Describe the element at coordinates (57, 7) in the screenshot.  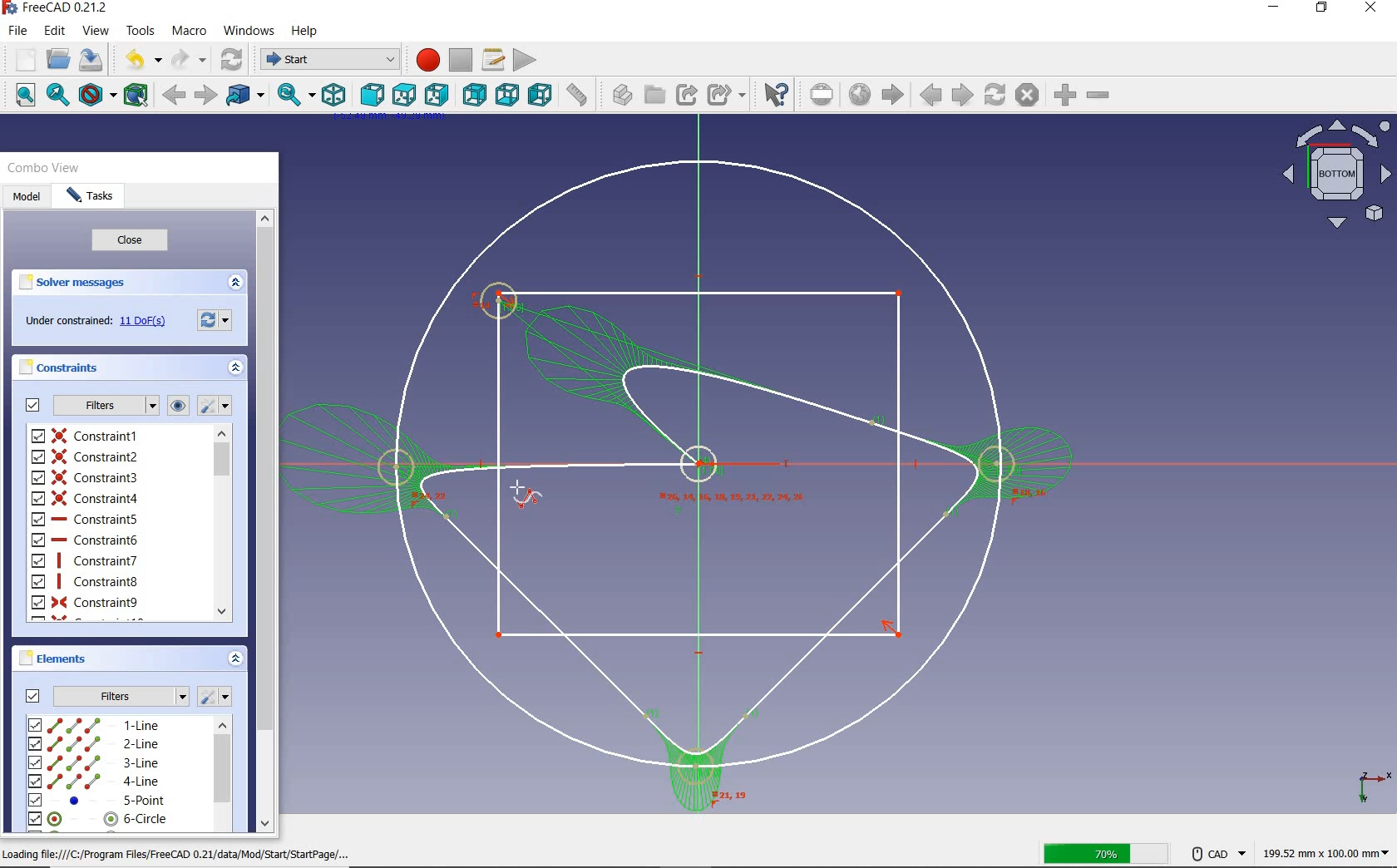
I see `system name` at that location.